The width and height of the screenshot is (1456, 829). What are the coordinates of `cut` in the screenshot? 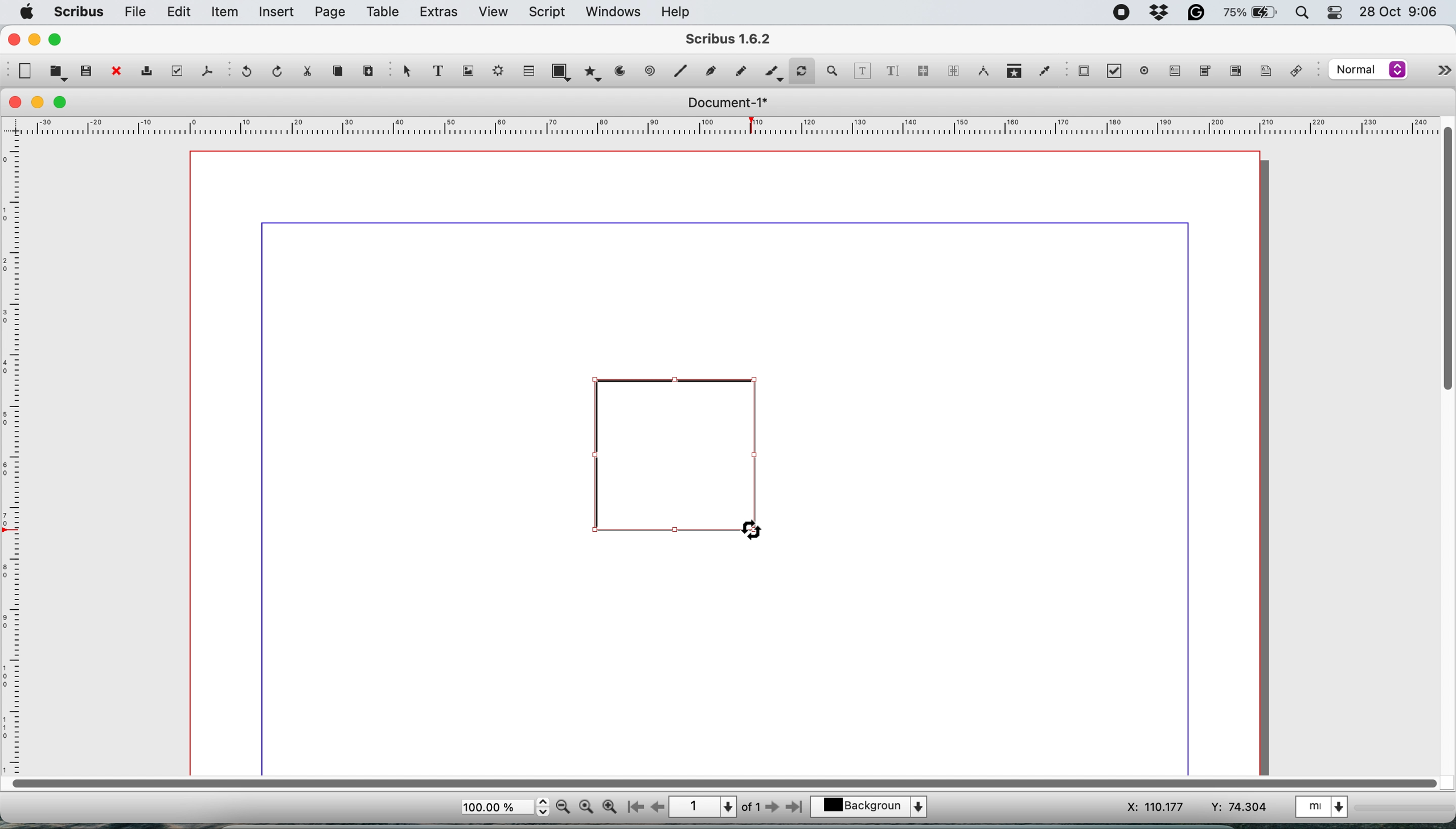 It's located at (313, 73).